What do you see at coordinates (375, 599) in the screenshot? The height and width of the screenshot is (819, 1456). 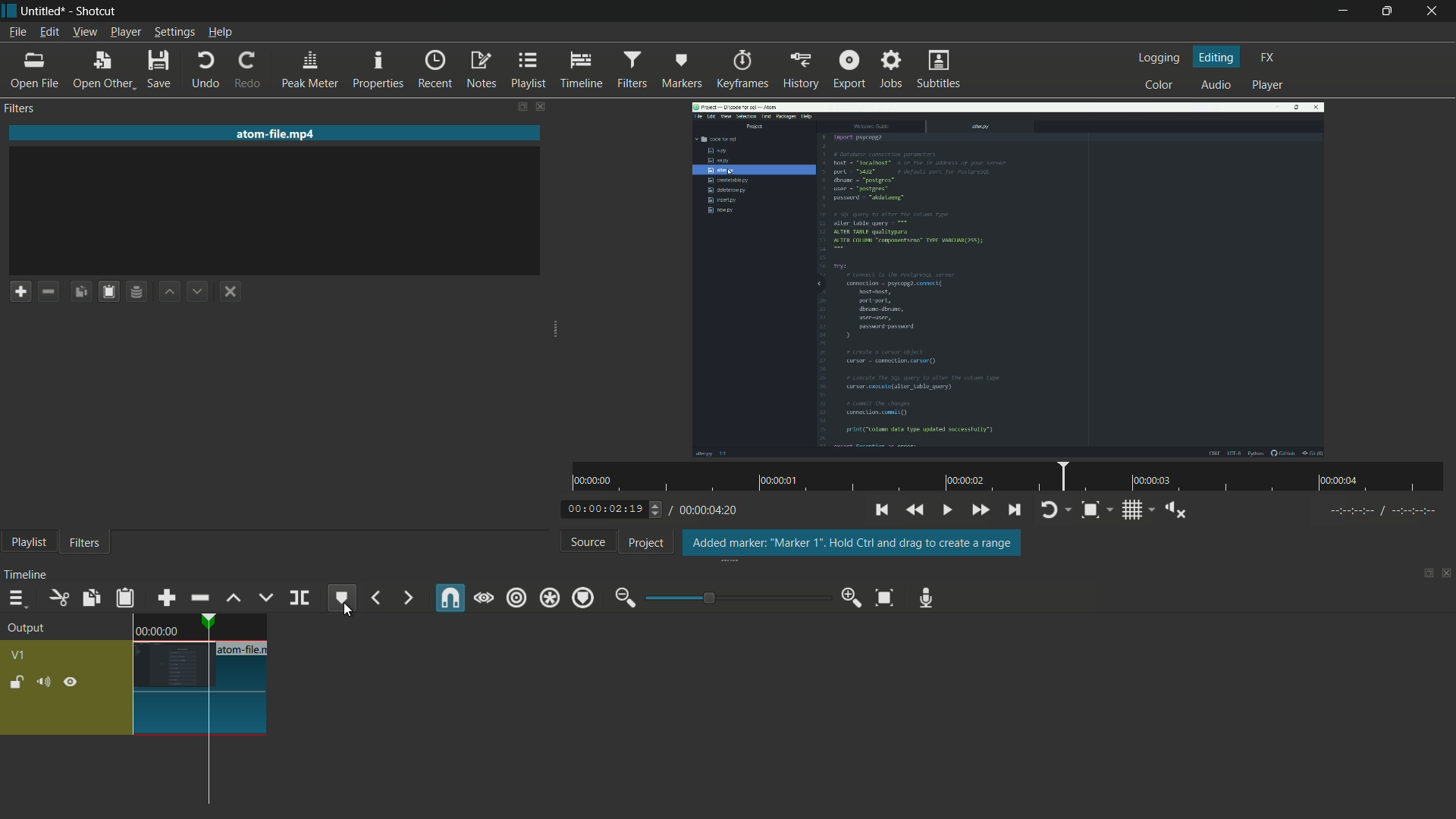 I see `previous marker` at bounding box center [375, 599].